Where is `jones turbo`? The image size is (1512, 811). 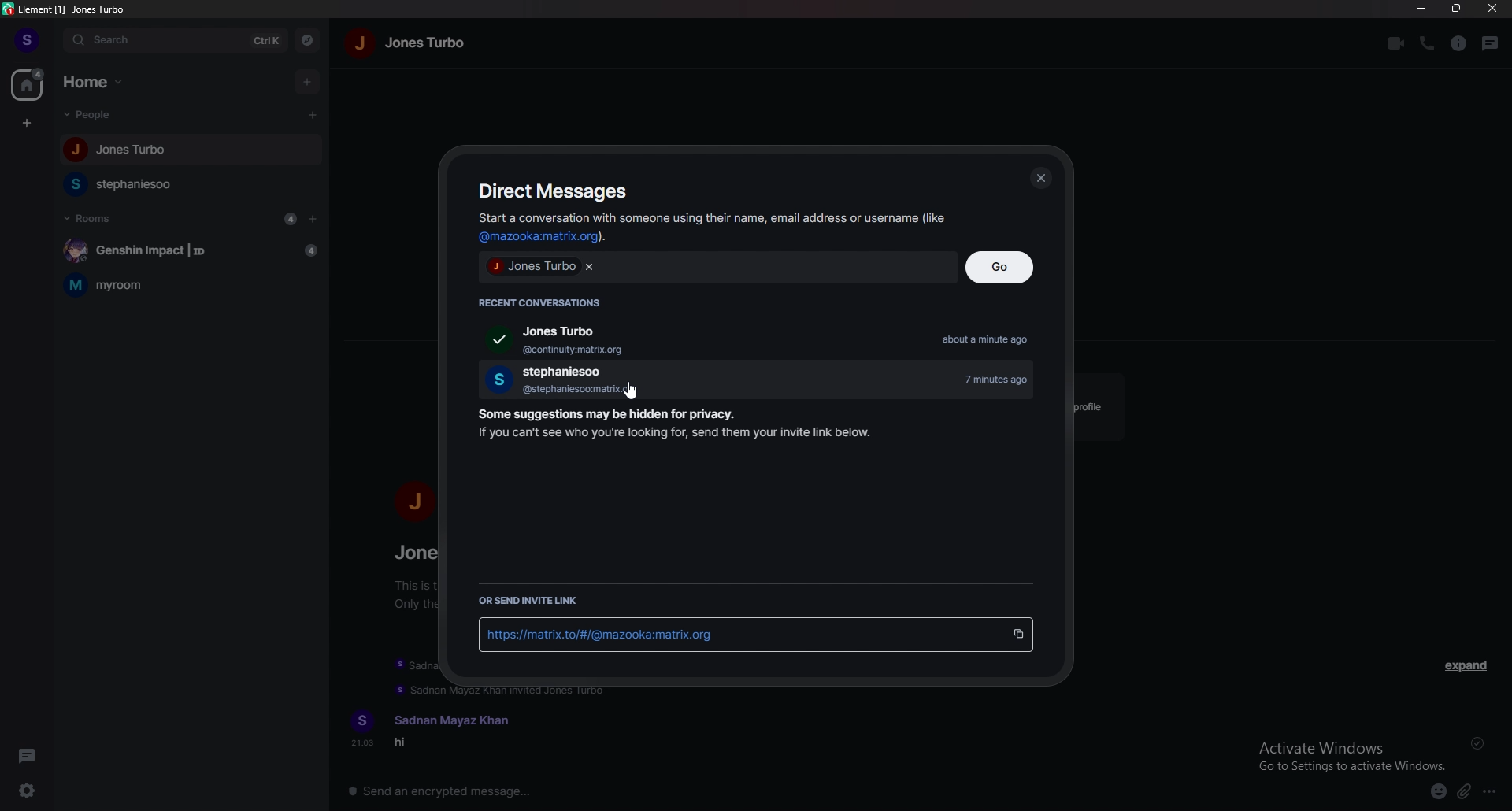 jones turbo is located at coordinates (427, 44).